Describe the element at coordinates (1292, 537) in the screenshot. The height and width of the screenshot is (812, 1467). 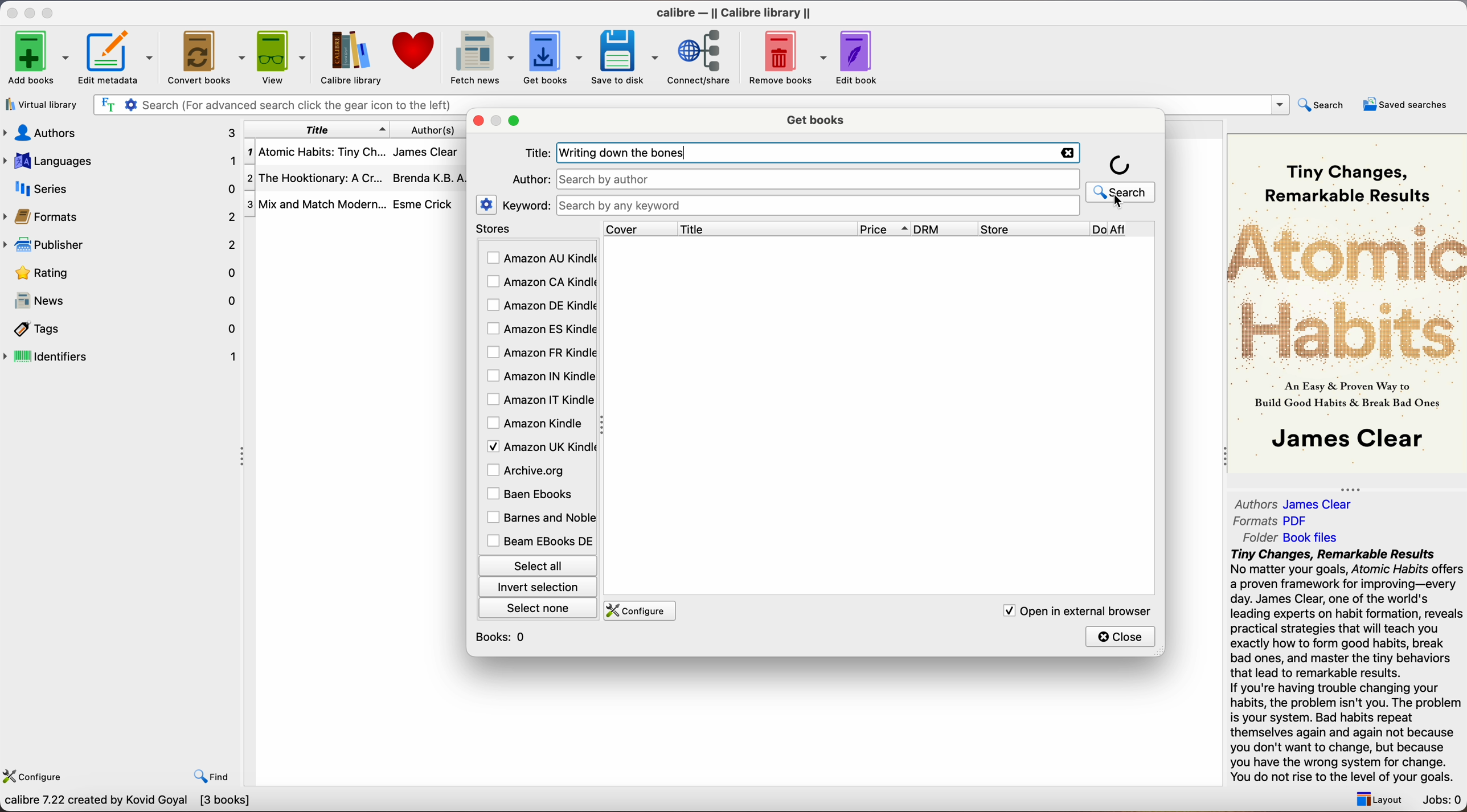
I see `folder Book files` at that location.